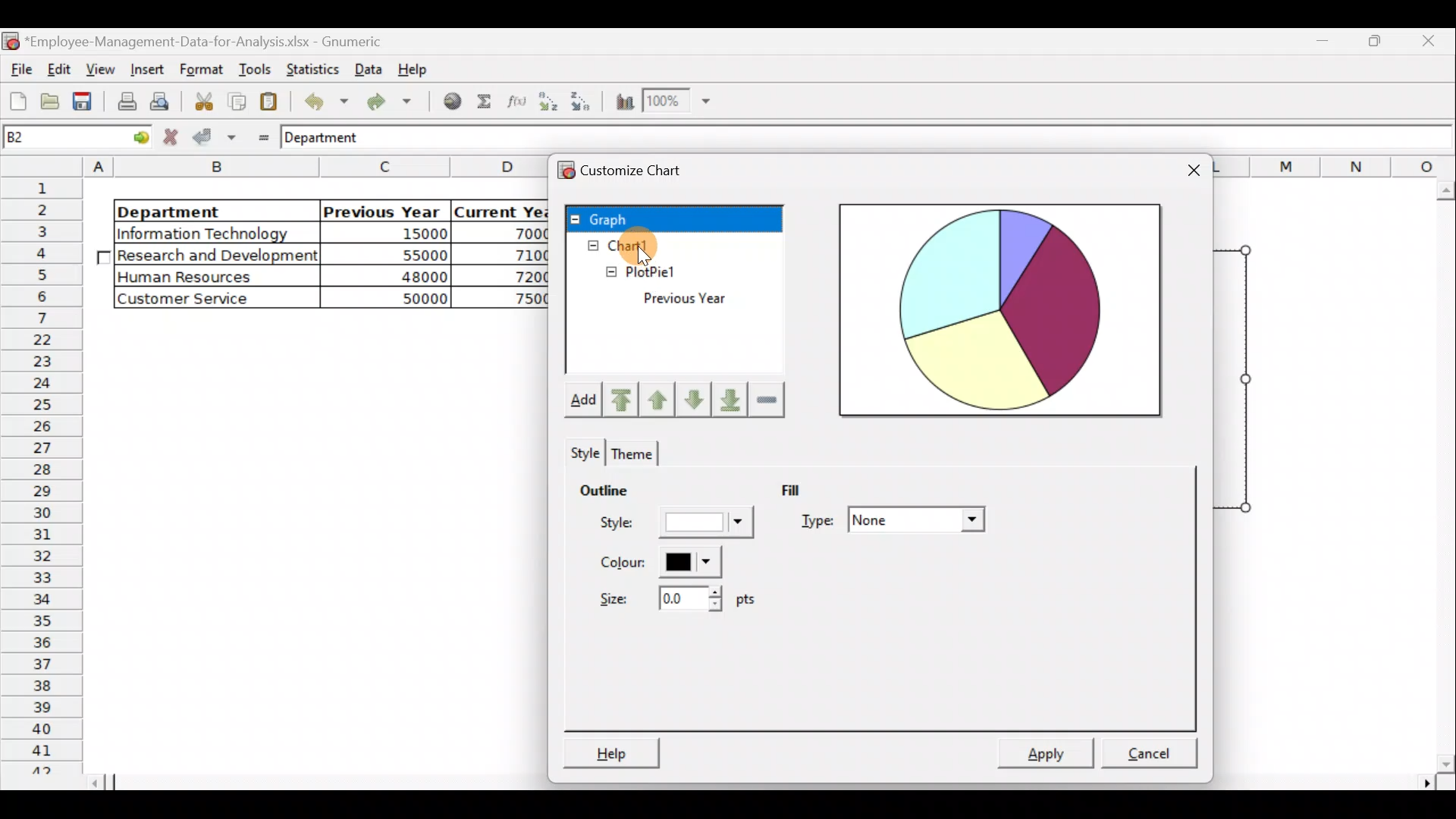 Image resolution: width=1456 pixels, height=819 pixels. Describe the element at coordinates (313, 68) in the screenshot. I see `Statistics` at that location.